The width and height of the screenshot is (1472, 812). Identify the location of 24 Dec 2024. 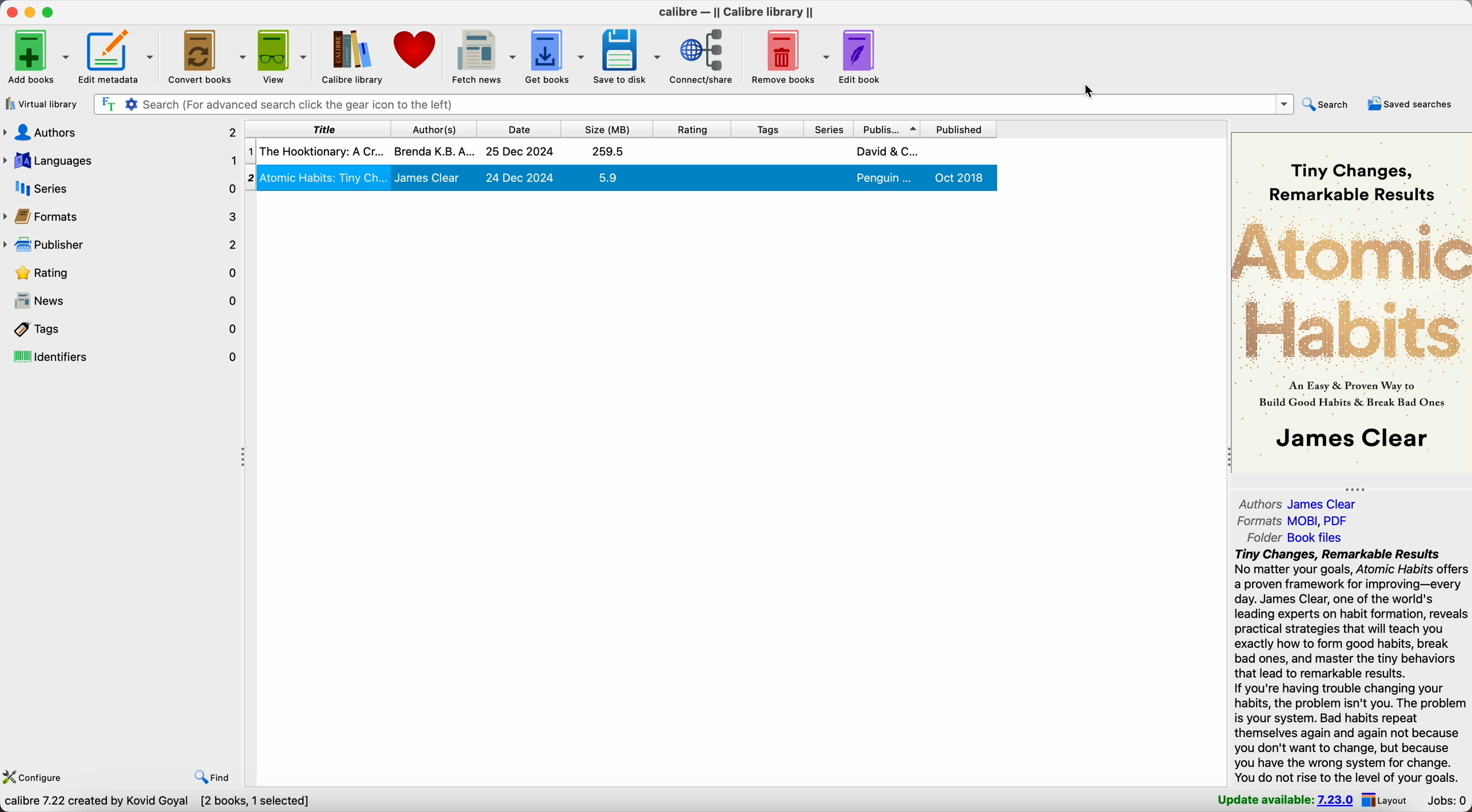
(520, 177).